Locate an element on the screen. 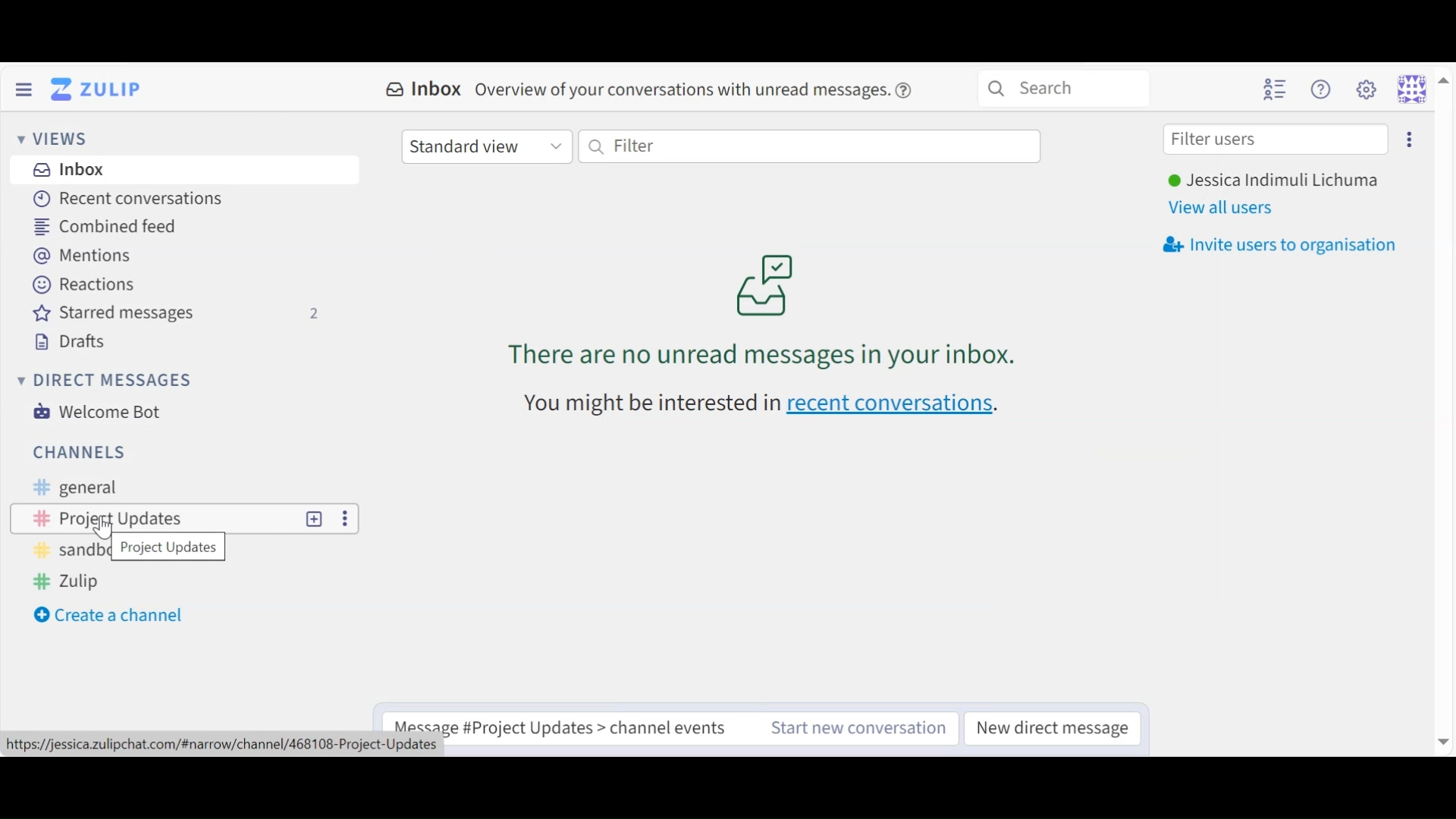 This screenshot has width=1456, height=819. Filter users is located at coordinates (1276, 140).